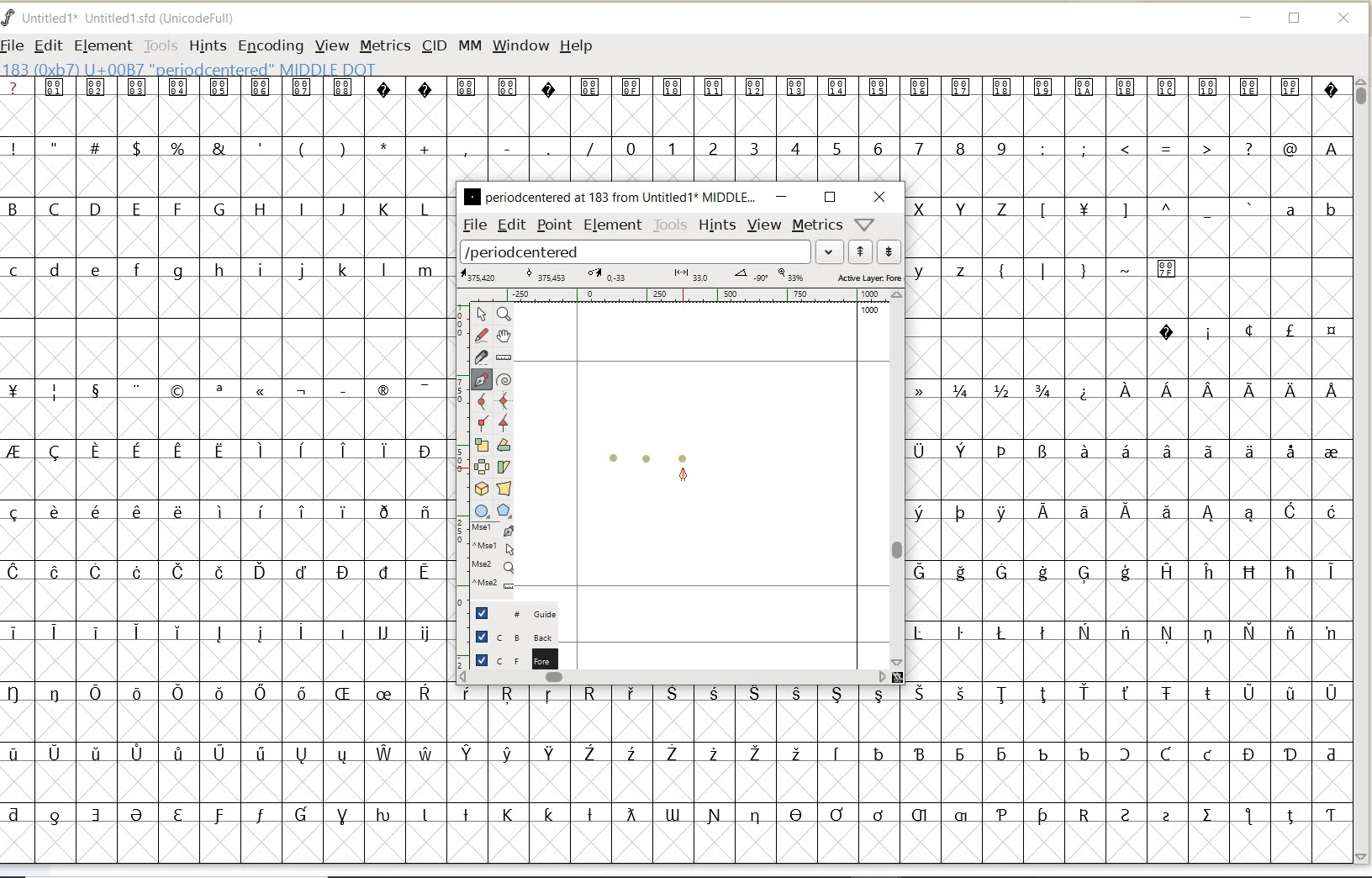 This screenshot has width=1372, height=878. Describe the element at coordinates (614, 456) in the screenshot. I see `dot` at that location.